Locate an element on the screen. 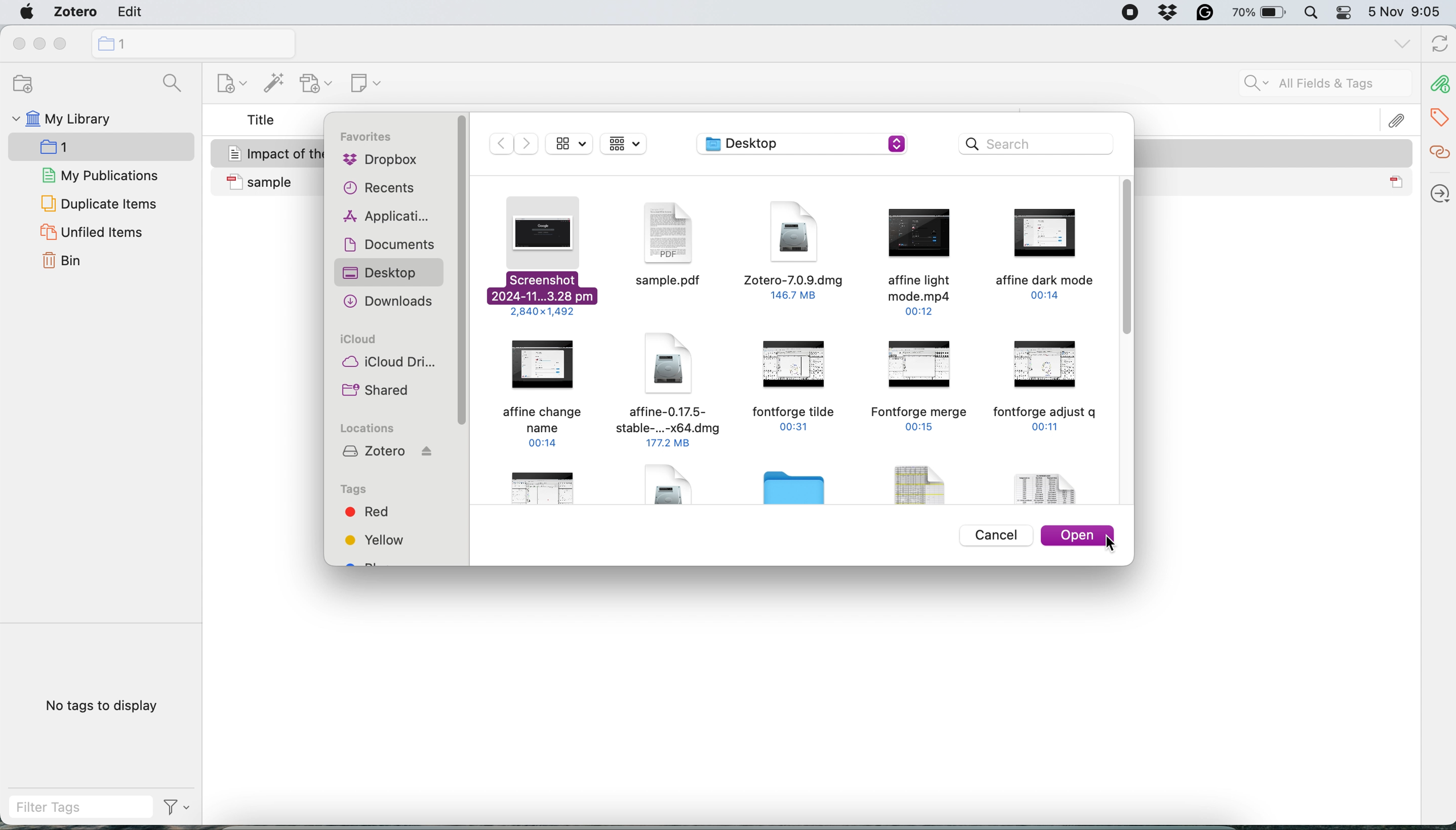 The height and width of the screenshot is (830, 1456). dropbox is located at coordinates (1170, 14).